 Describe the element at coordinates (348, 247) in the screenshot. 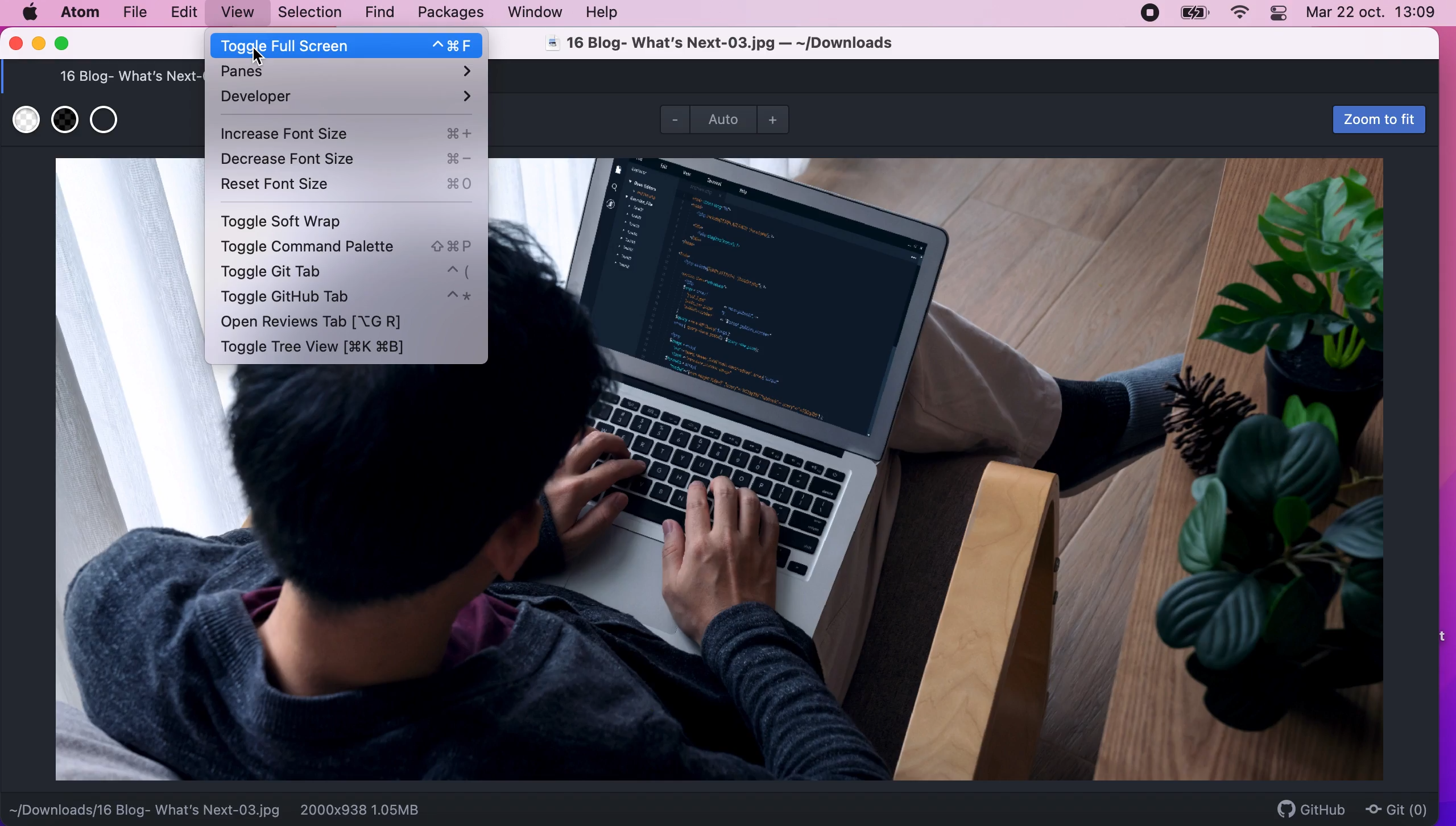

I see `toggle command palette` at that location.